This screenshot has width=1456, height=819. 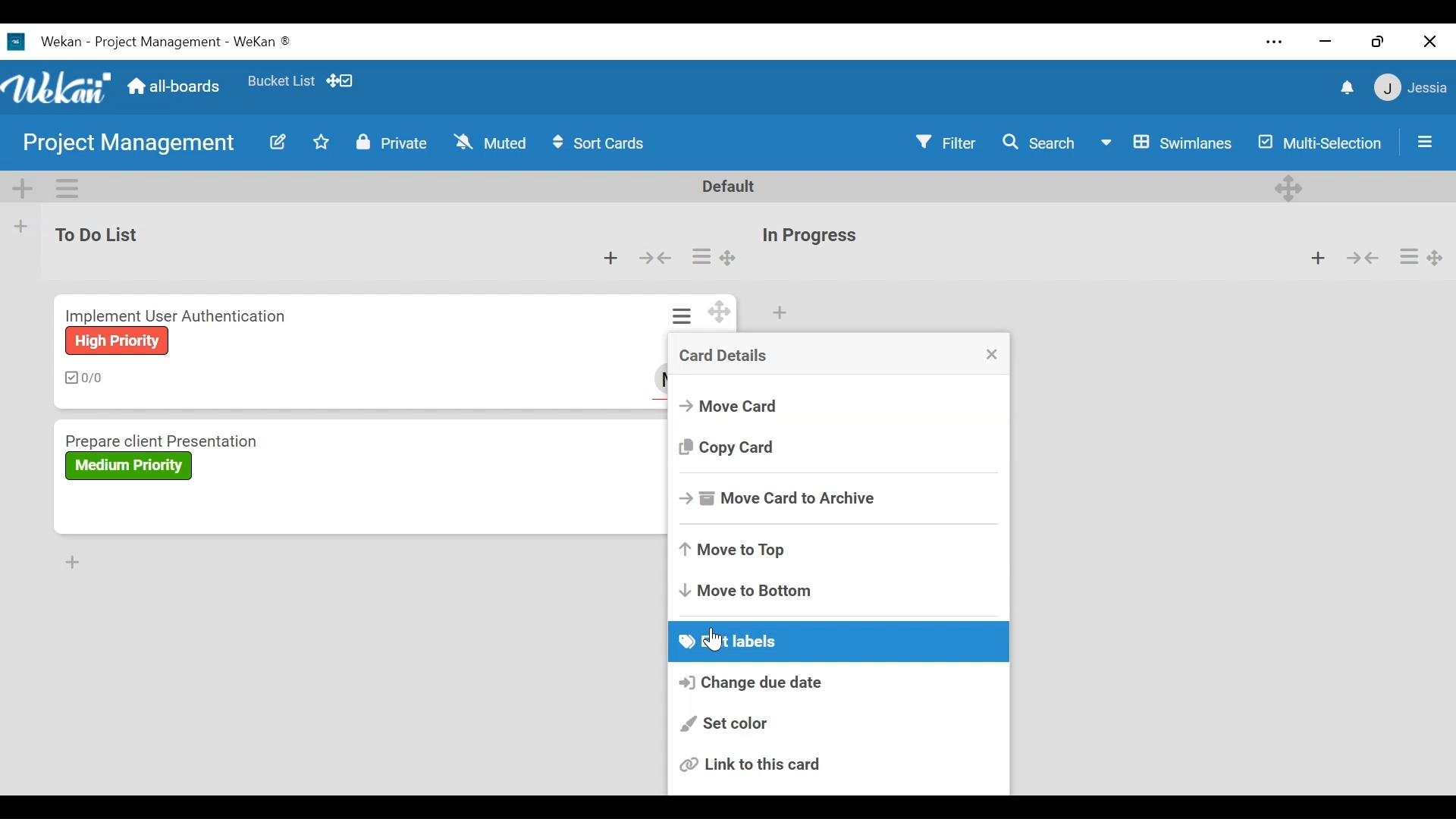 I want to click on Card Details, so click(x=818, y=356).